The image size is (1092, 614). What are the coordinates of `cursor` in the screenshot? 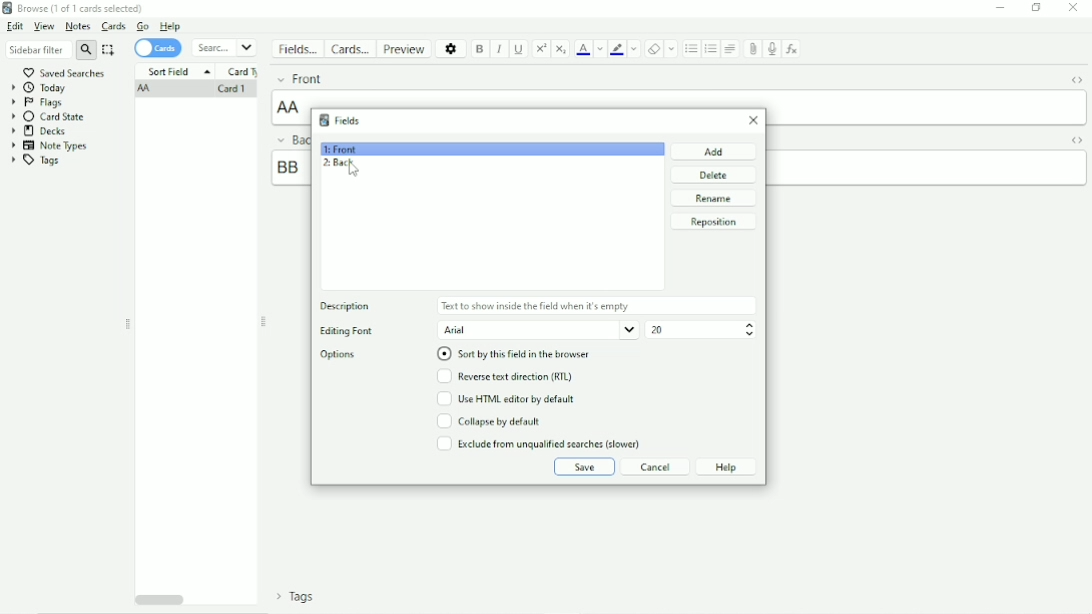 It's located at (355, 171).